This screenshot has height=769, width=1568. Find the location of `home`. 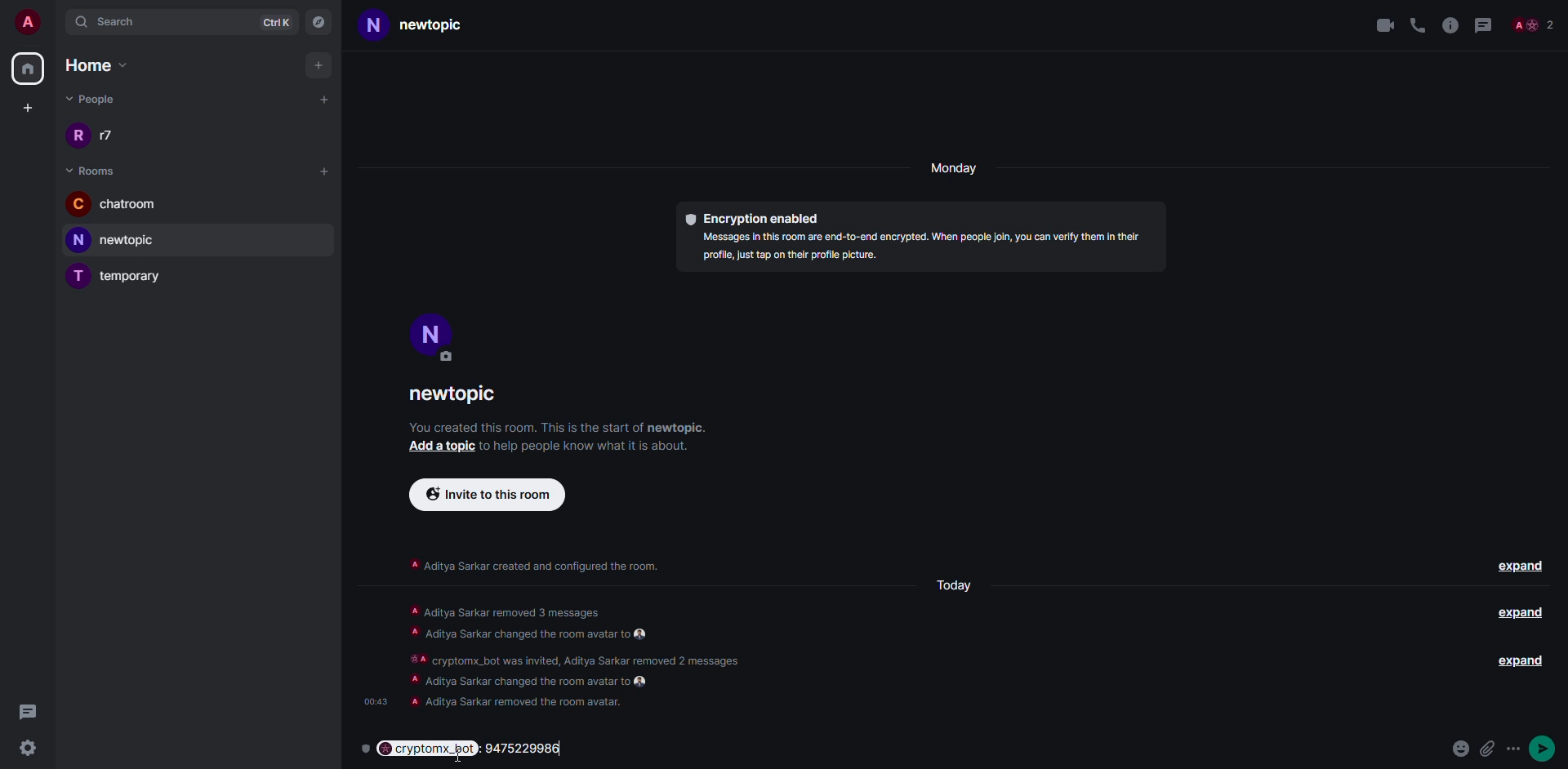

home is located at coordinates (27, 69).